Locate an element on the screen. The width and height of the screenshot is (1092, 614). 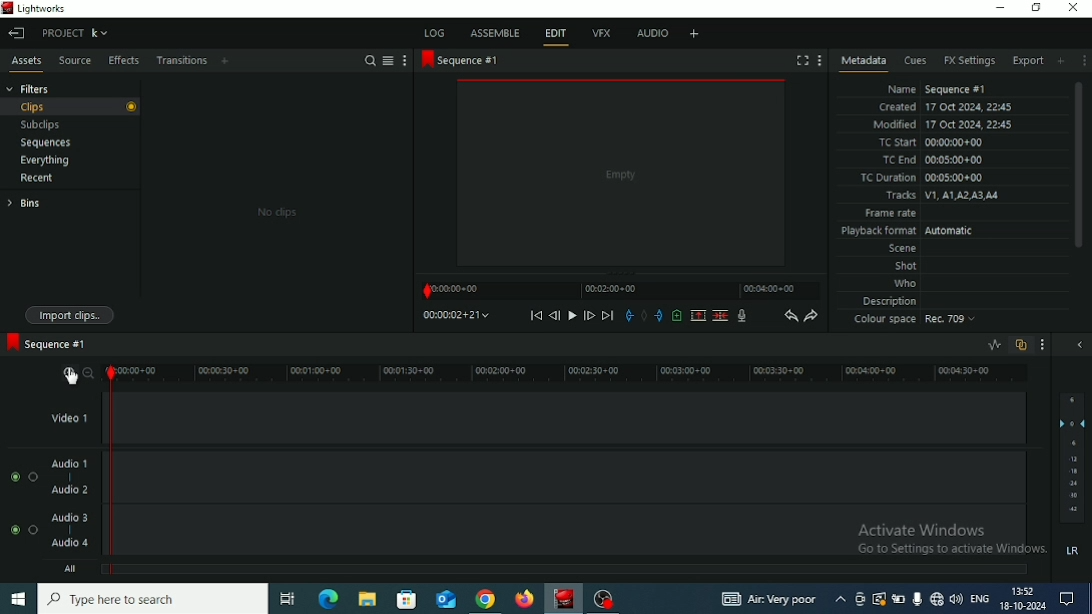
Add, remove and create layouts is located at coordinates (695, 33).